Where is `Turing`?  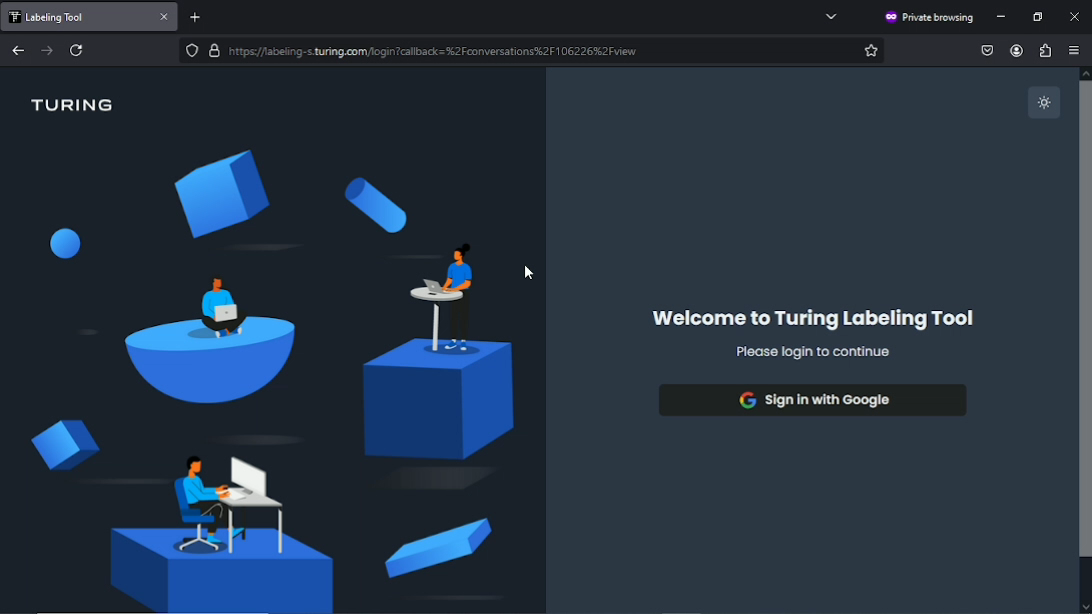
Turing is located at coordinates (75, 104).